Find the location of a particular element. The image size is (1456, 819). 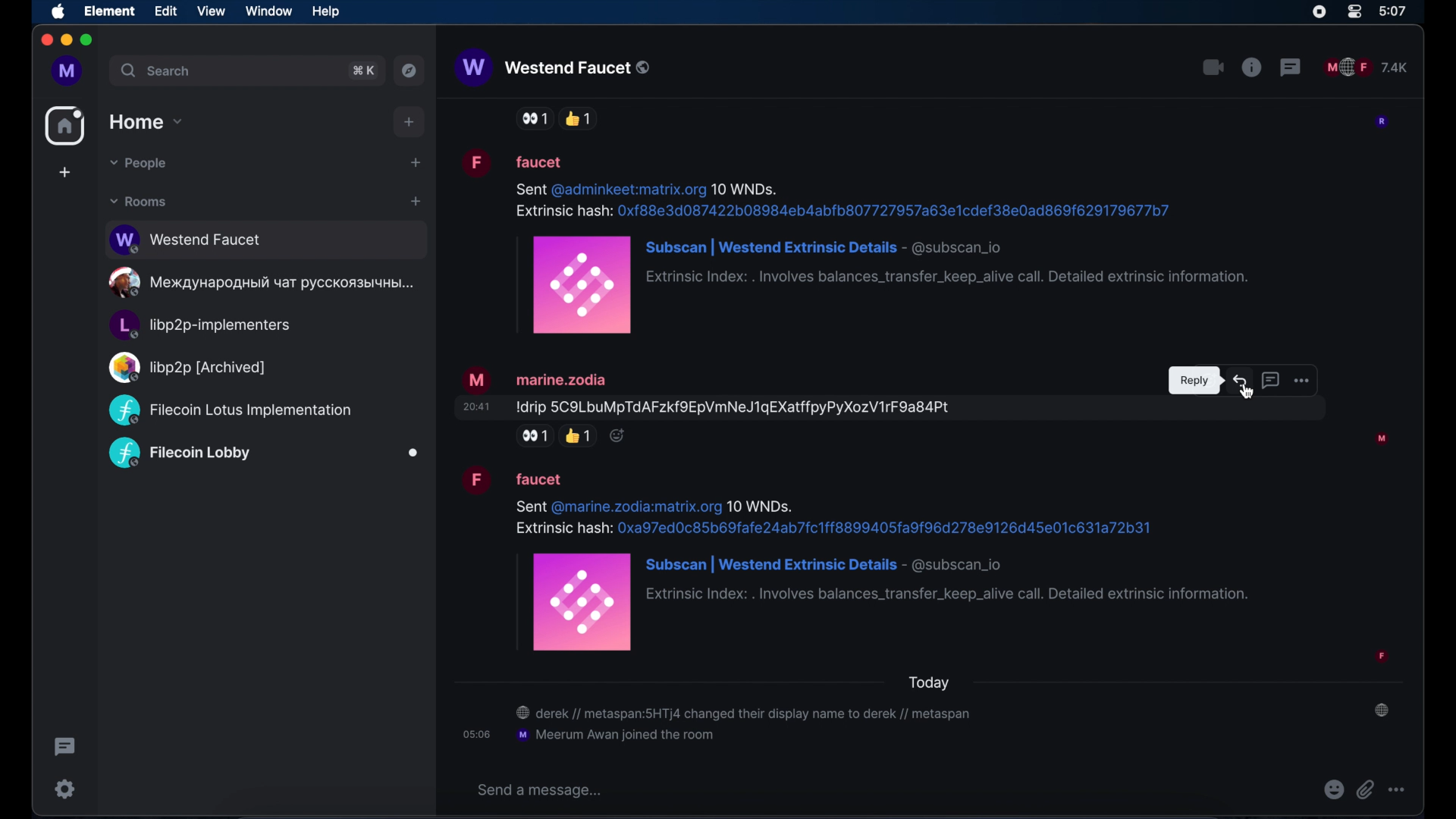

video call is located at coordinates (1213, 67).